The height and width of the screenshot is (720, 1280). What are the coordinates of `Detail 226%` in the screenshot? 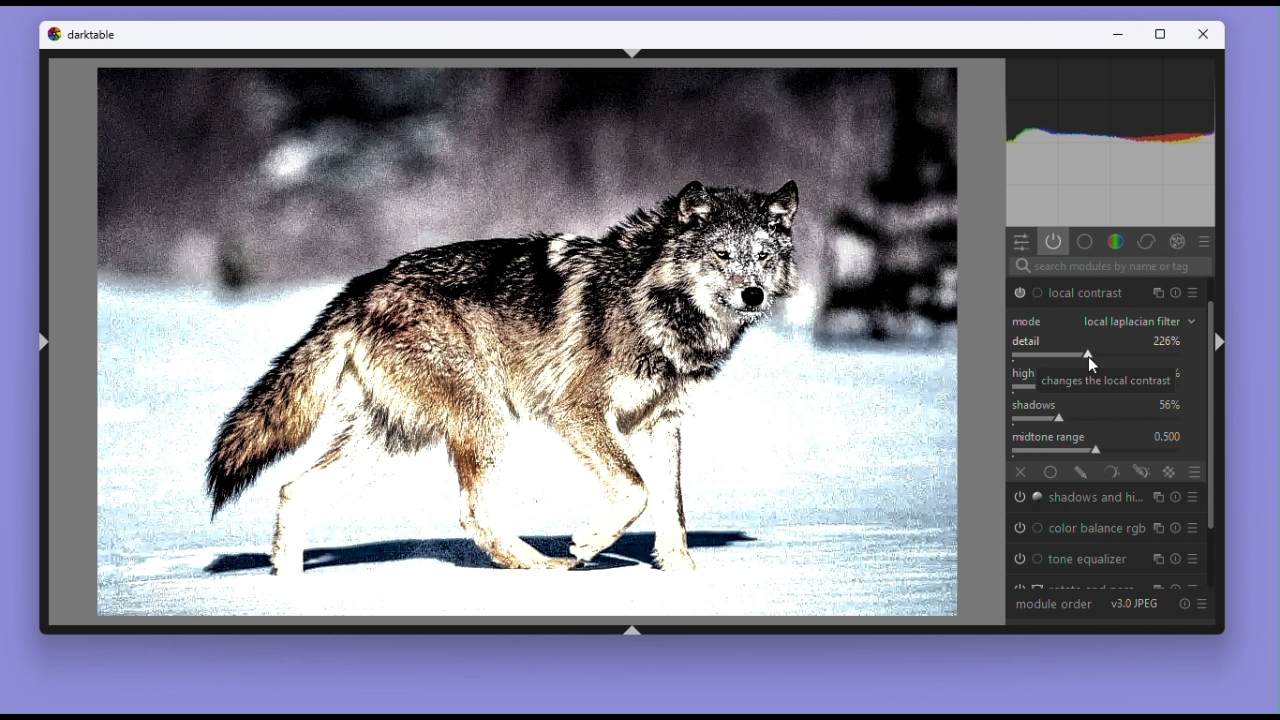 It's located at (1106, 339).